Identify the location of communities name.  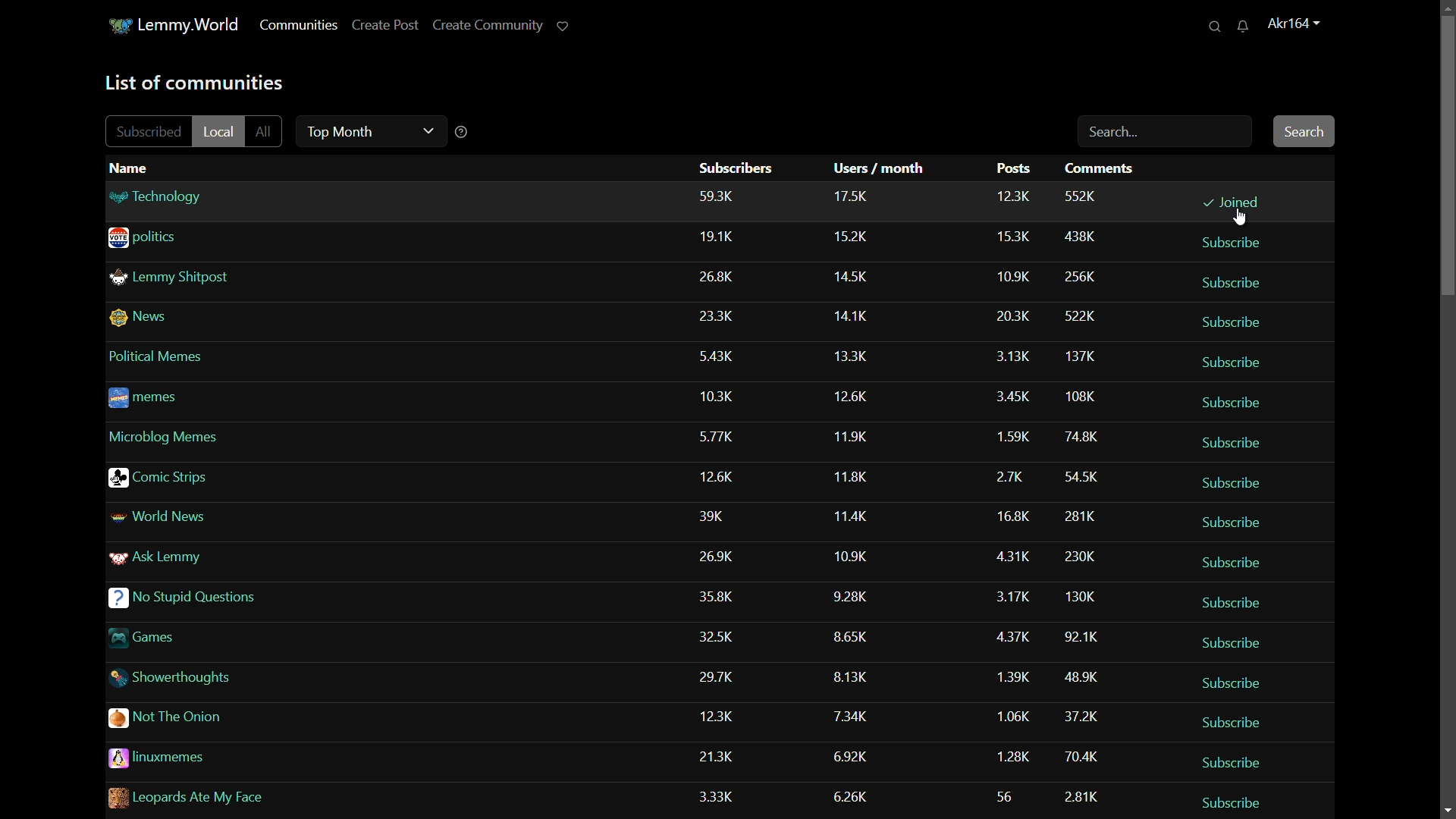
(345, 195).